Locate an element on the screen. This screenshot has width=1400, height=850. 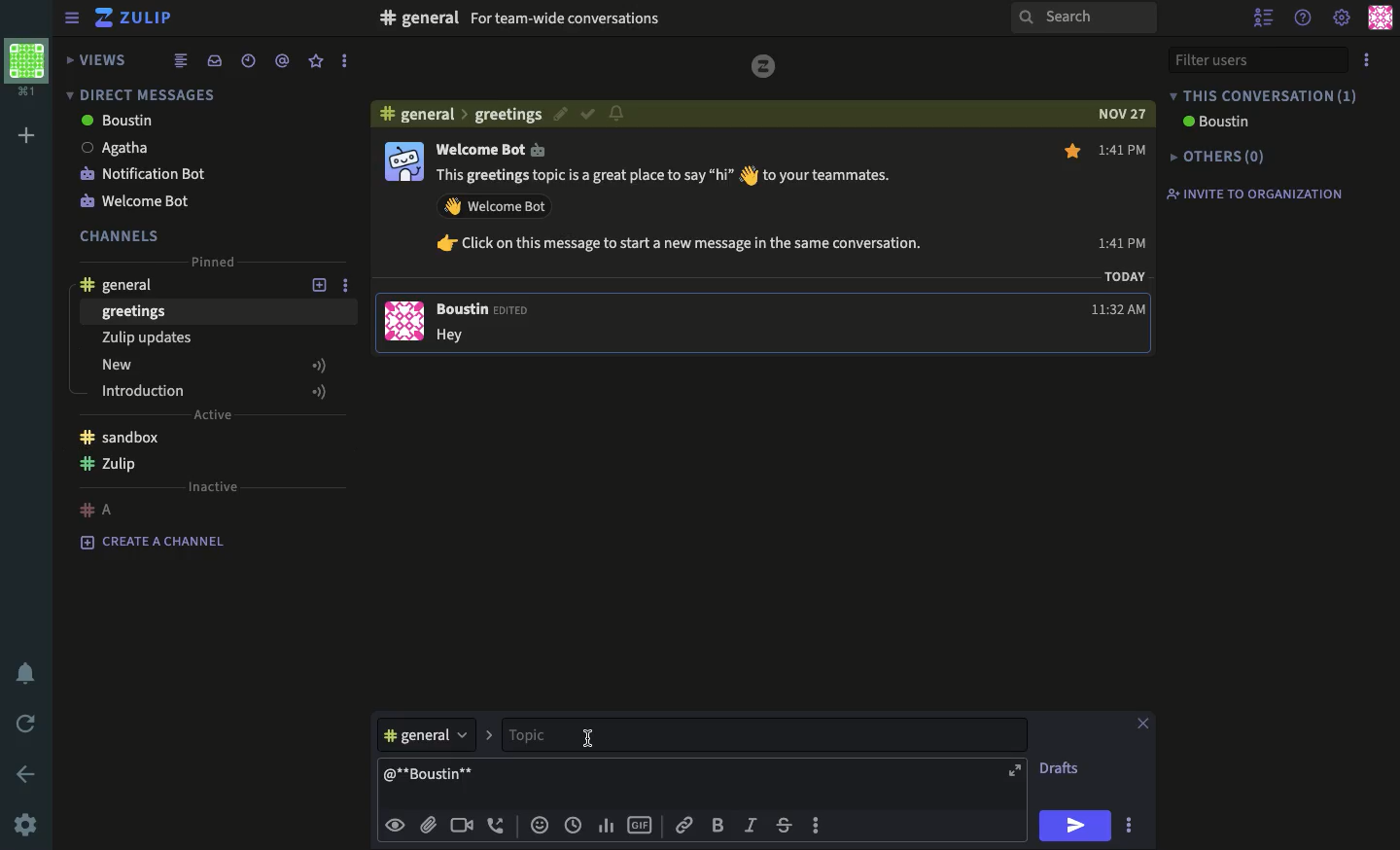
time is located at coordinates (575, 826).